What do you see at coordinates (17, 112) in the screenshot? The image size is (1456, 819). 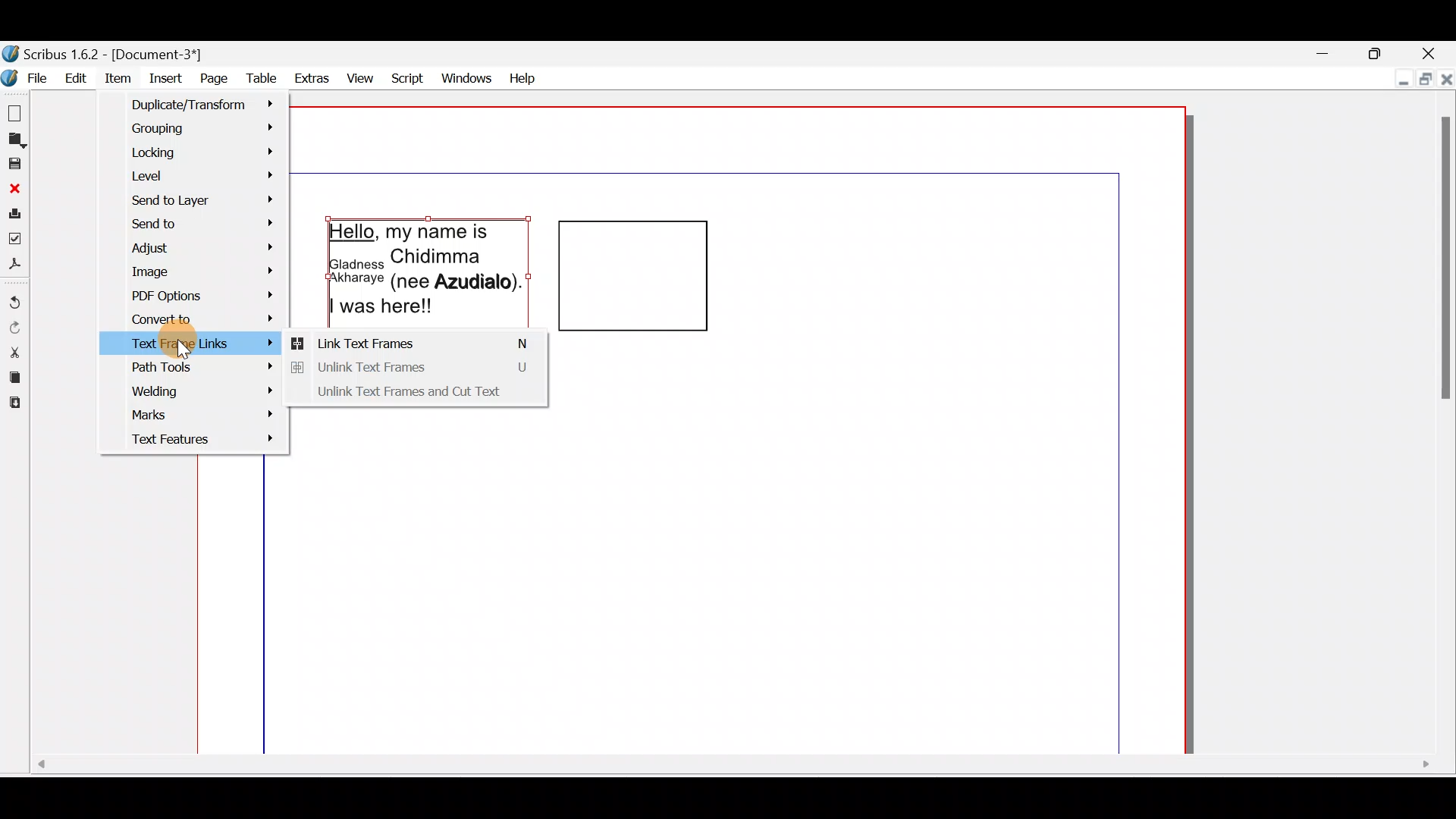 I see `New` at bounding box center [17, 112].